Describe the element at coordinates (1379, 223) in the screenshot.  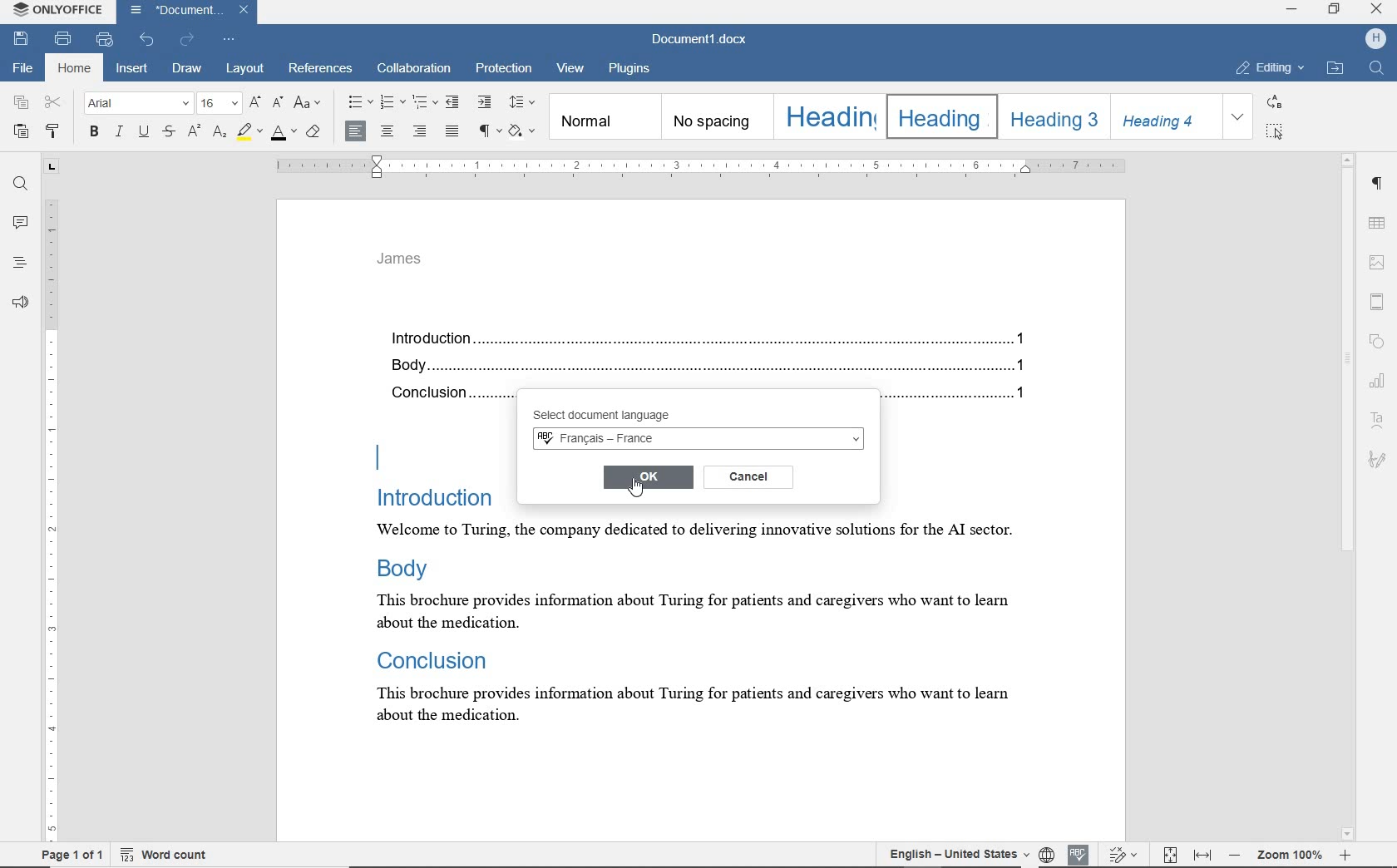
I see `table` at that location.